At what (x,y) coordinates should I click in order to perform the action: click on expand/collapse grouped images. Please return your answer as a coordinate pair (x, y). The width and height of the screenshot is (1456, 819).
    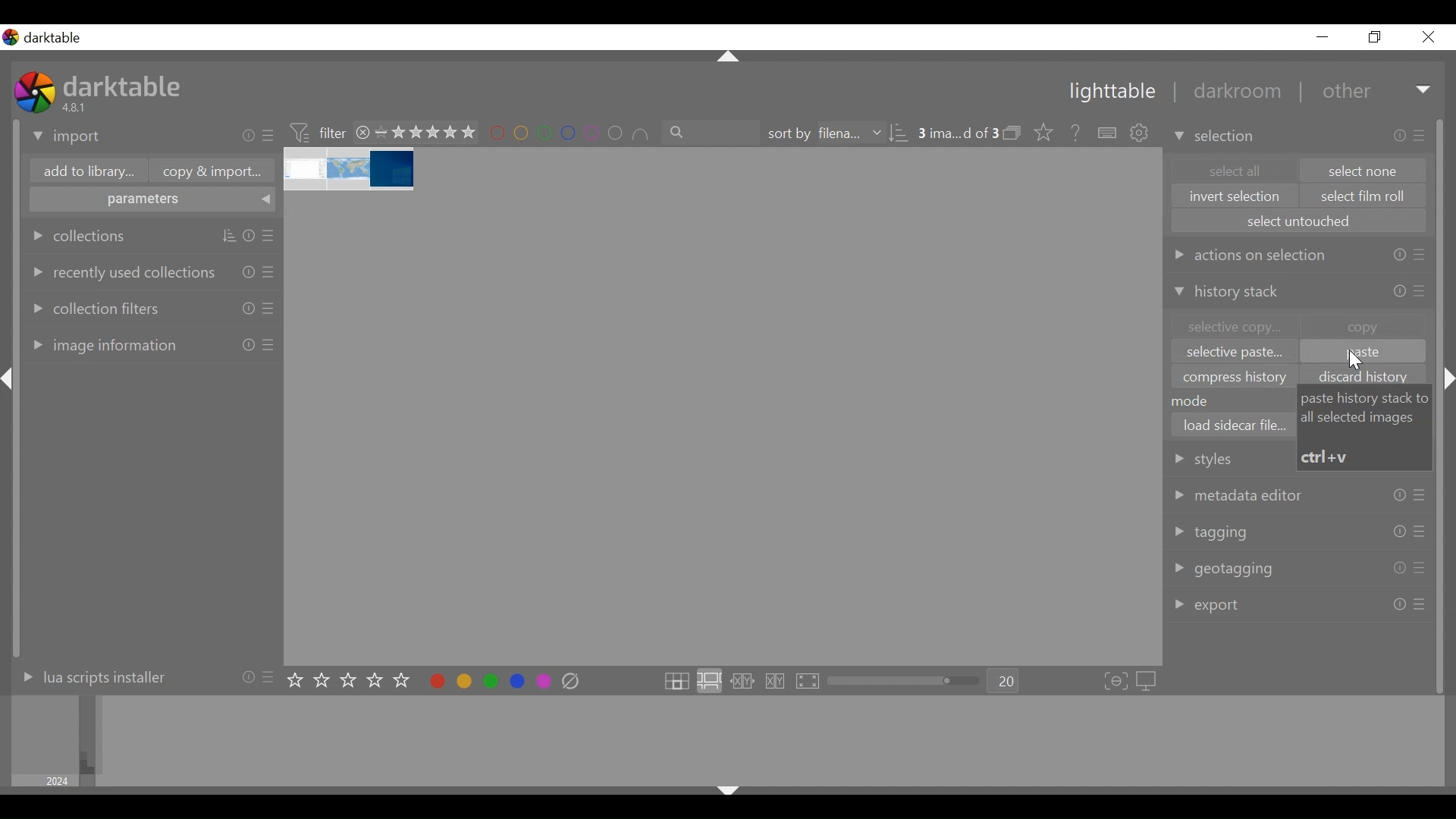
    Looking at the image, I should click on (1012, 133).